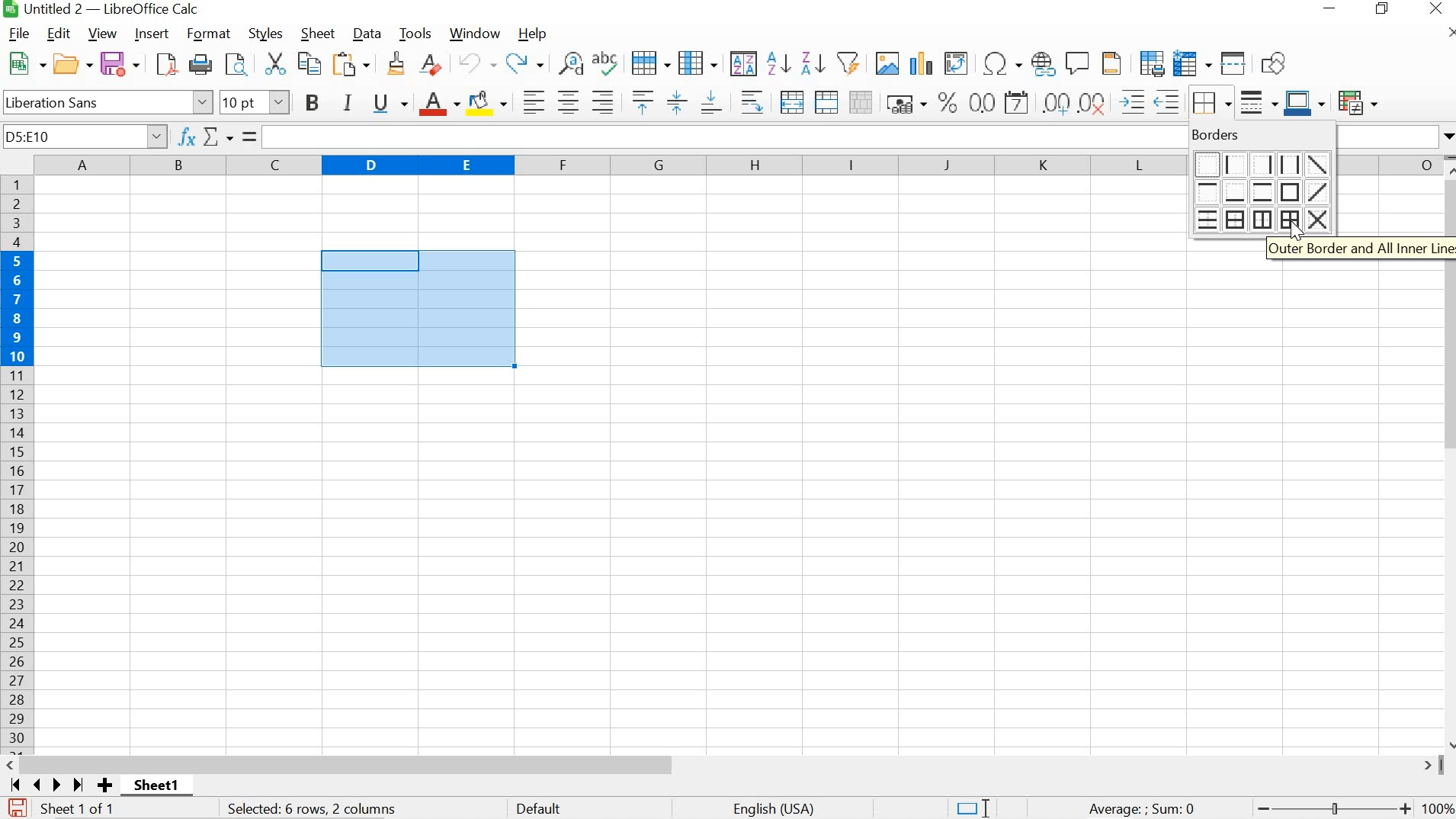 This screenshot has height=819, width=1456. What do you see at coordinates (120, 63) in the screenshot?
I see `SAVE` at bounding box center [120, 63].